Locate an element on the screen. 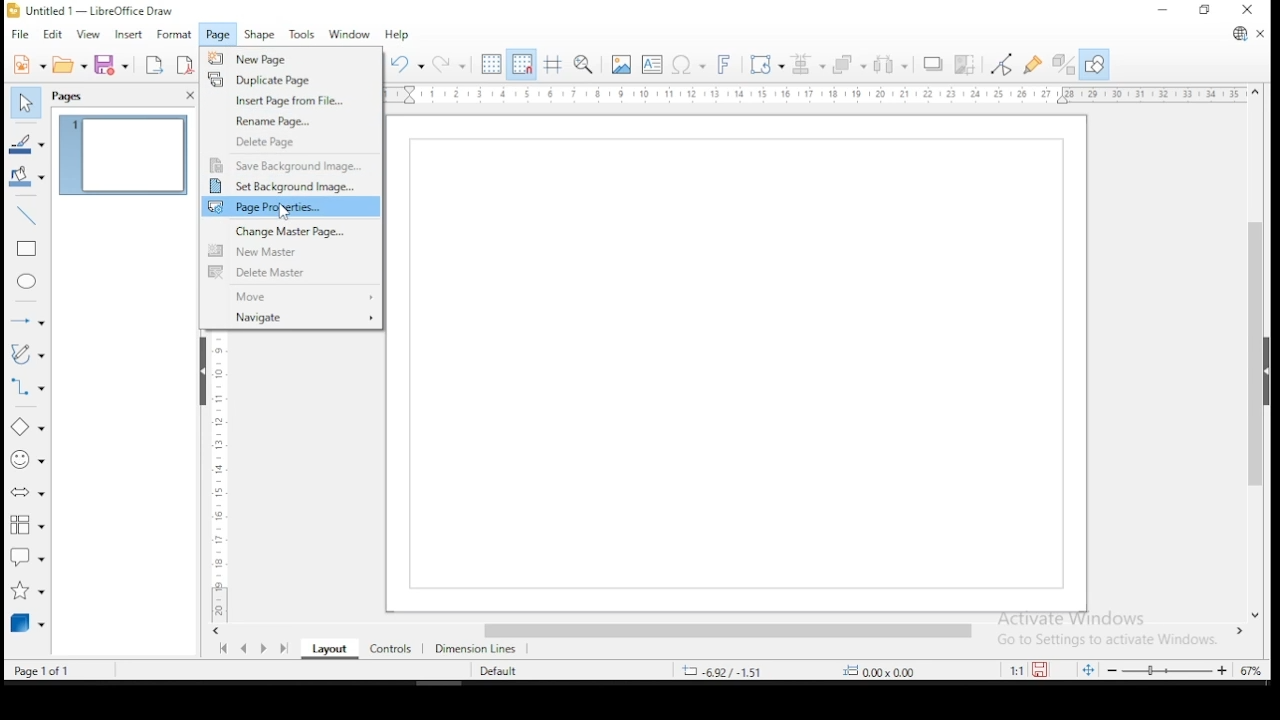 The width and height of the screenshot is (1280, 720). scale is located at coordinates (816, 96).